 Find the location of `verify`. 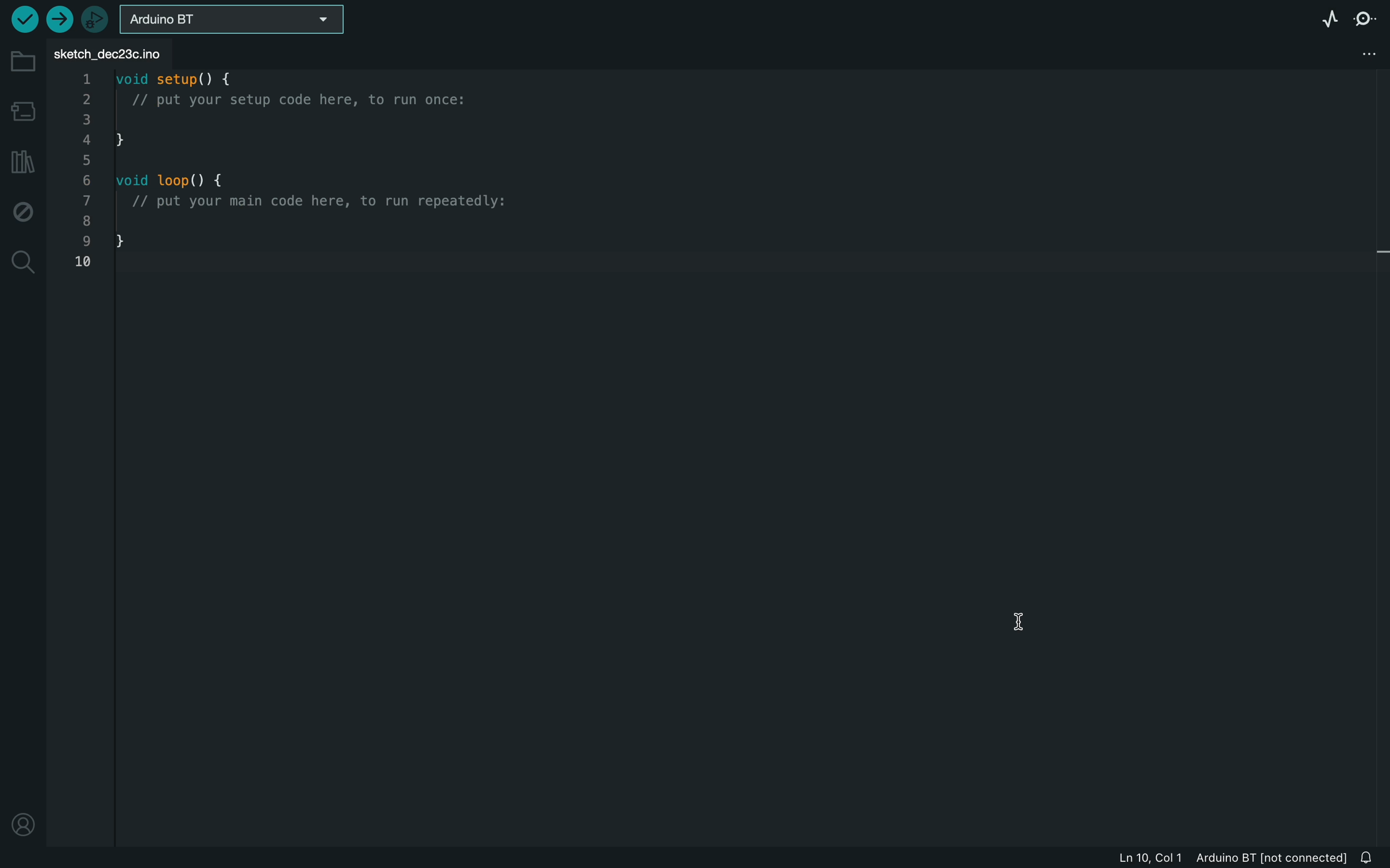

verify is located at coordinates (23, 21).